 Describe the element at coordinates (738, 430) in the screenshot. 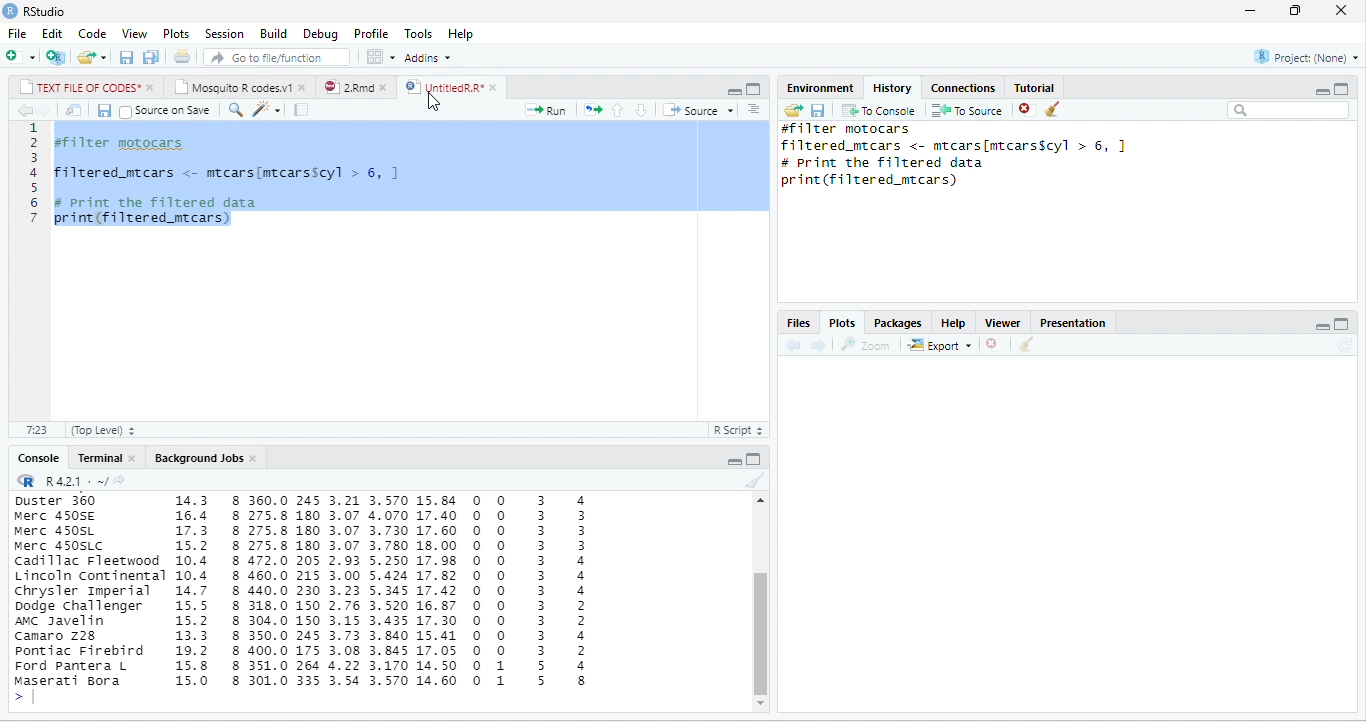

I see `R script` at that location.